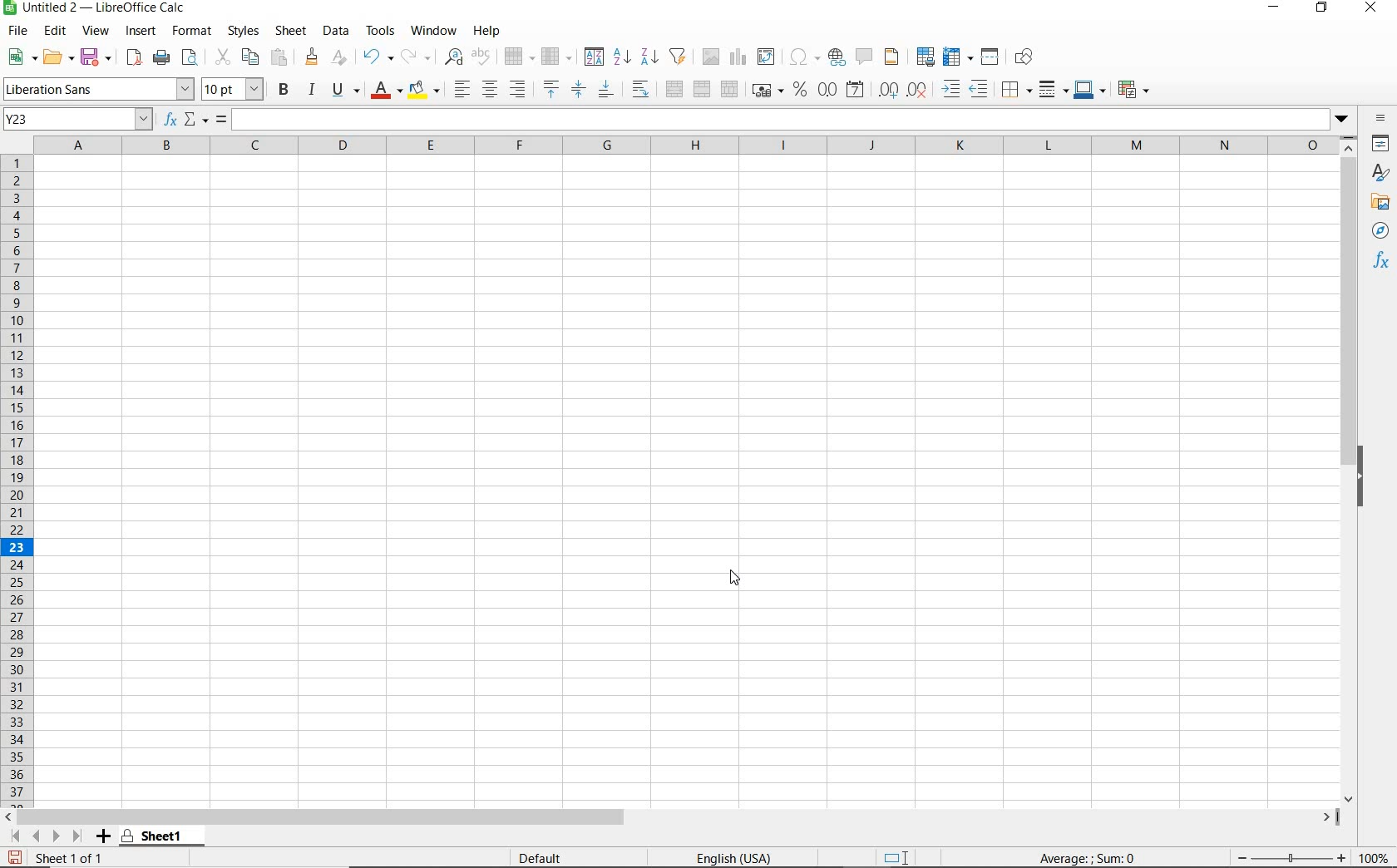 Image resolution: width=1397 pixels, height=868 pixels. Describe the element at coordinates (766, 57) in the screenshot. I see `INSERT OR EDIT PIVOT TABLE` at that location.